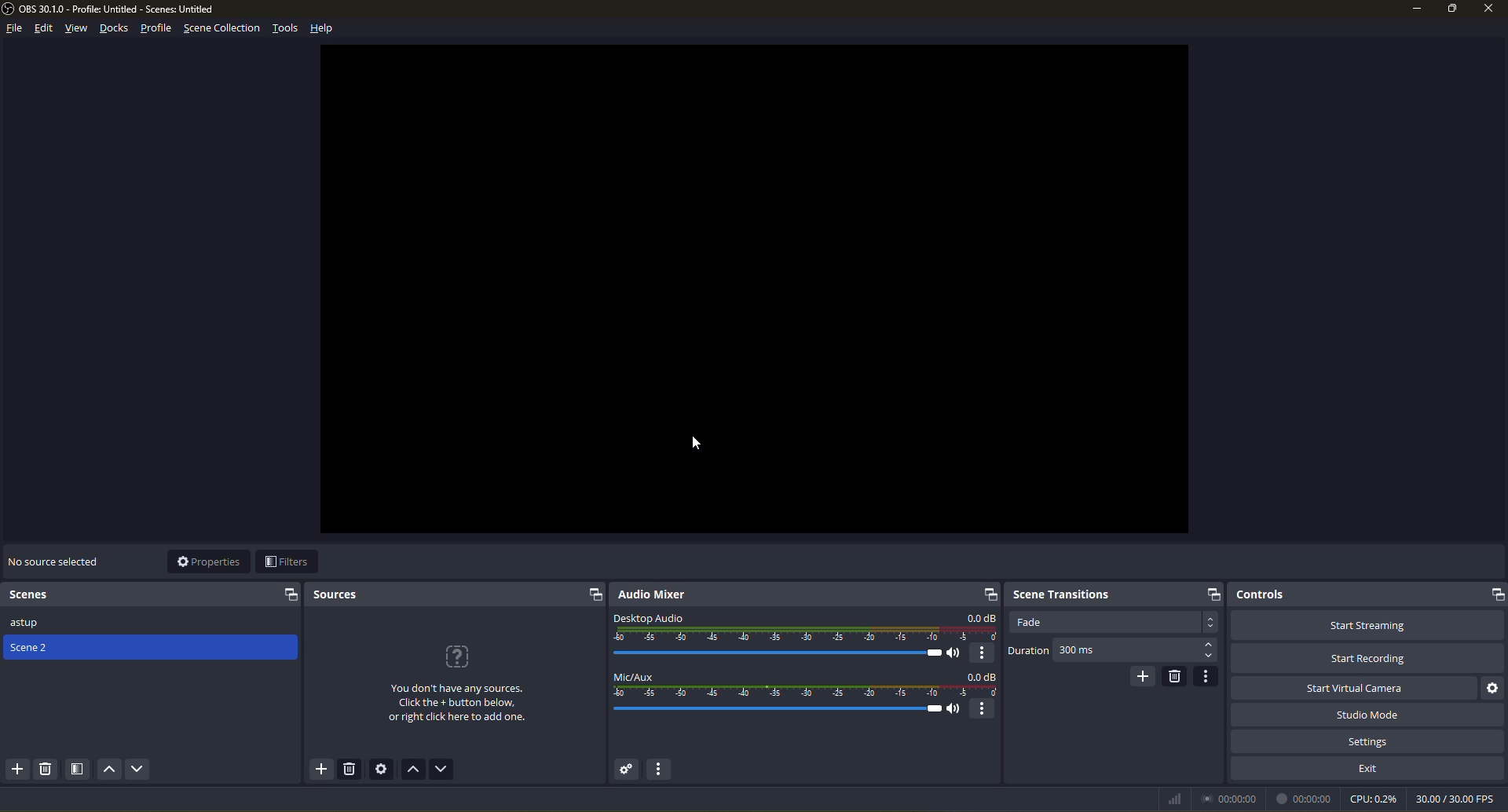  What do you see at coordinates (1034, 622) in the screenshot?
I see `fade` at bounding box center [1034, 622].